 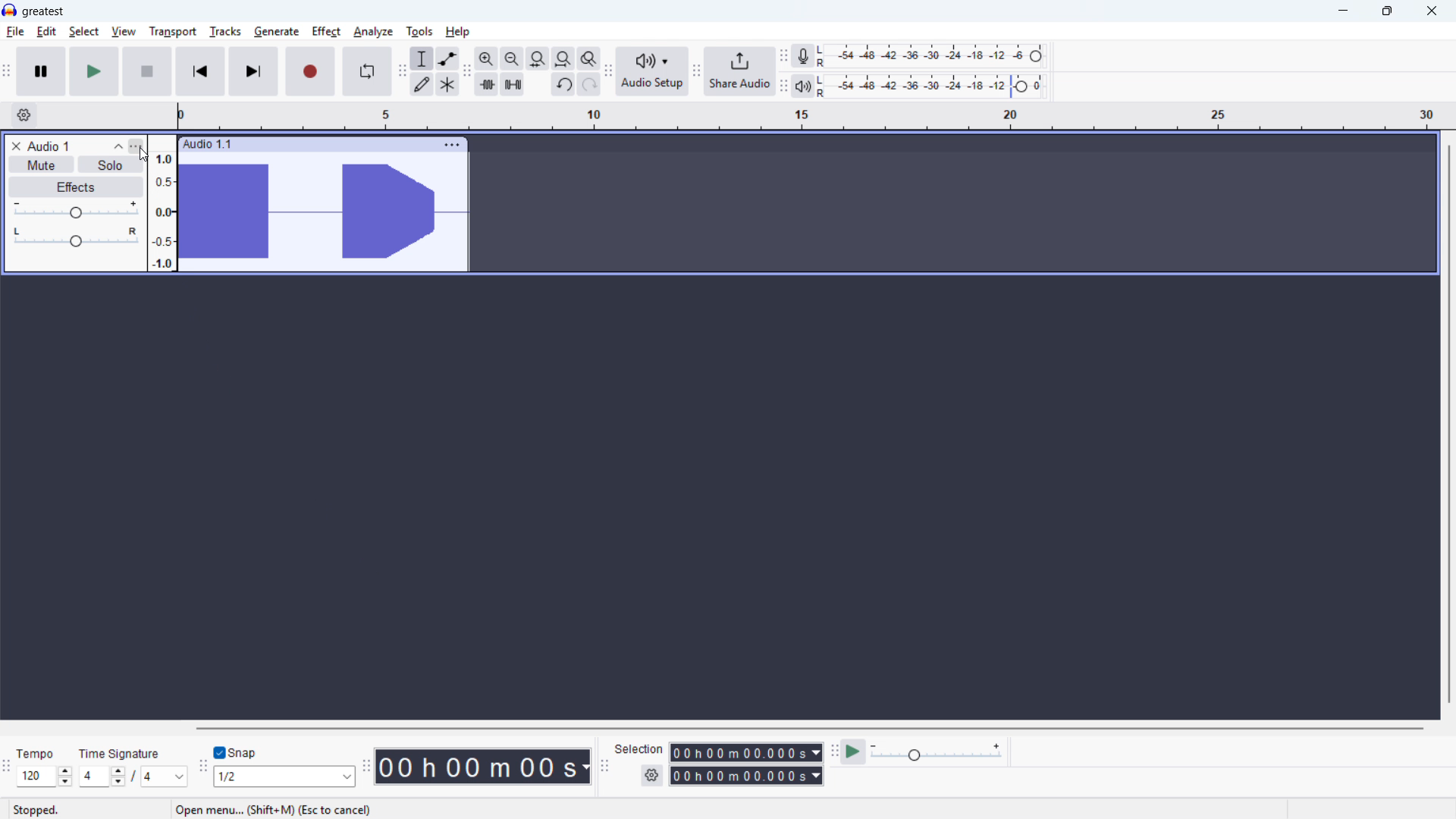 What do you see at coordinates (1342, 11) in the screenshot?
I see `minimise ` at bounding box center [1342, 11].